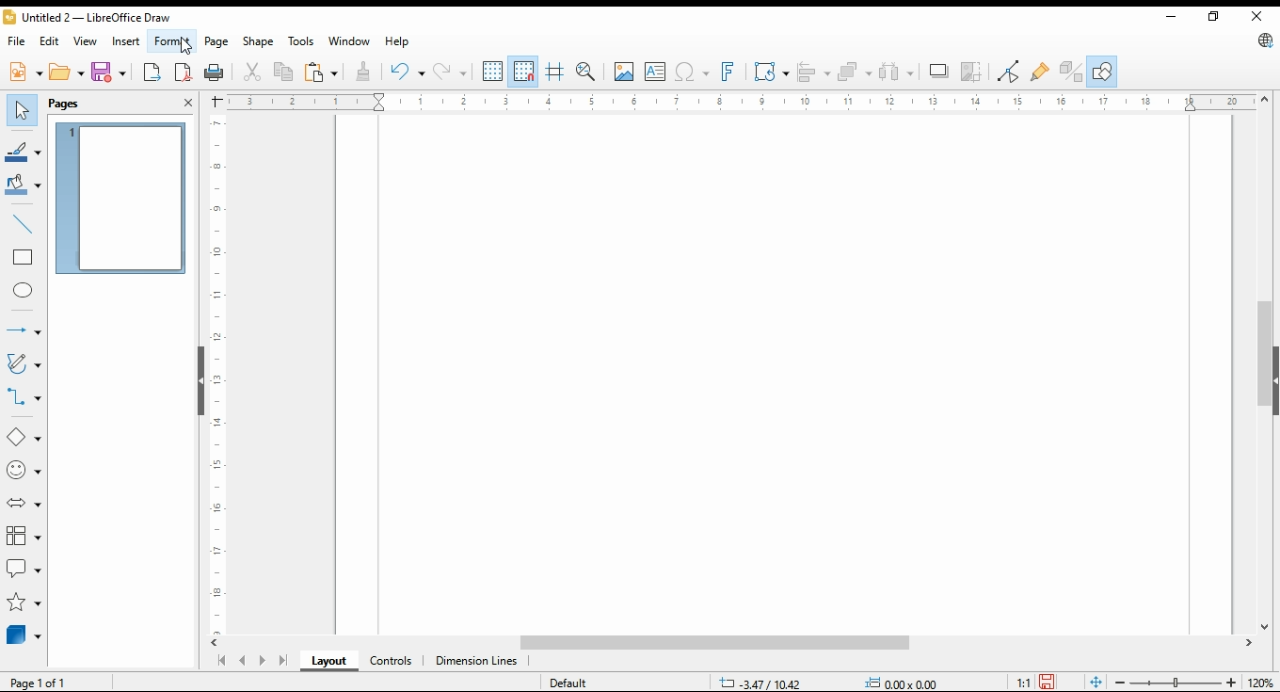 The image size is (1280, 692). I want to click on ellipse, so click(24, 291).